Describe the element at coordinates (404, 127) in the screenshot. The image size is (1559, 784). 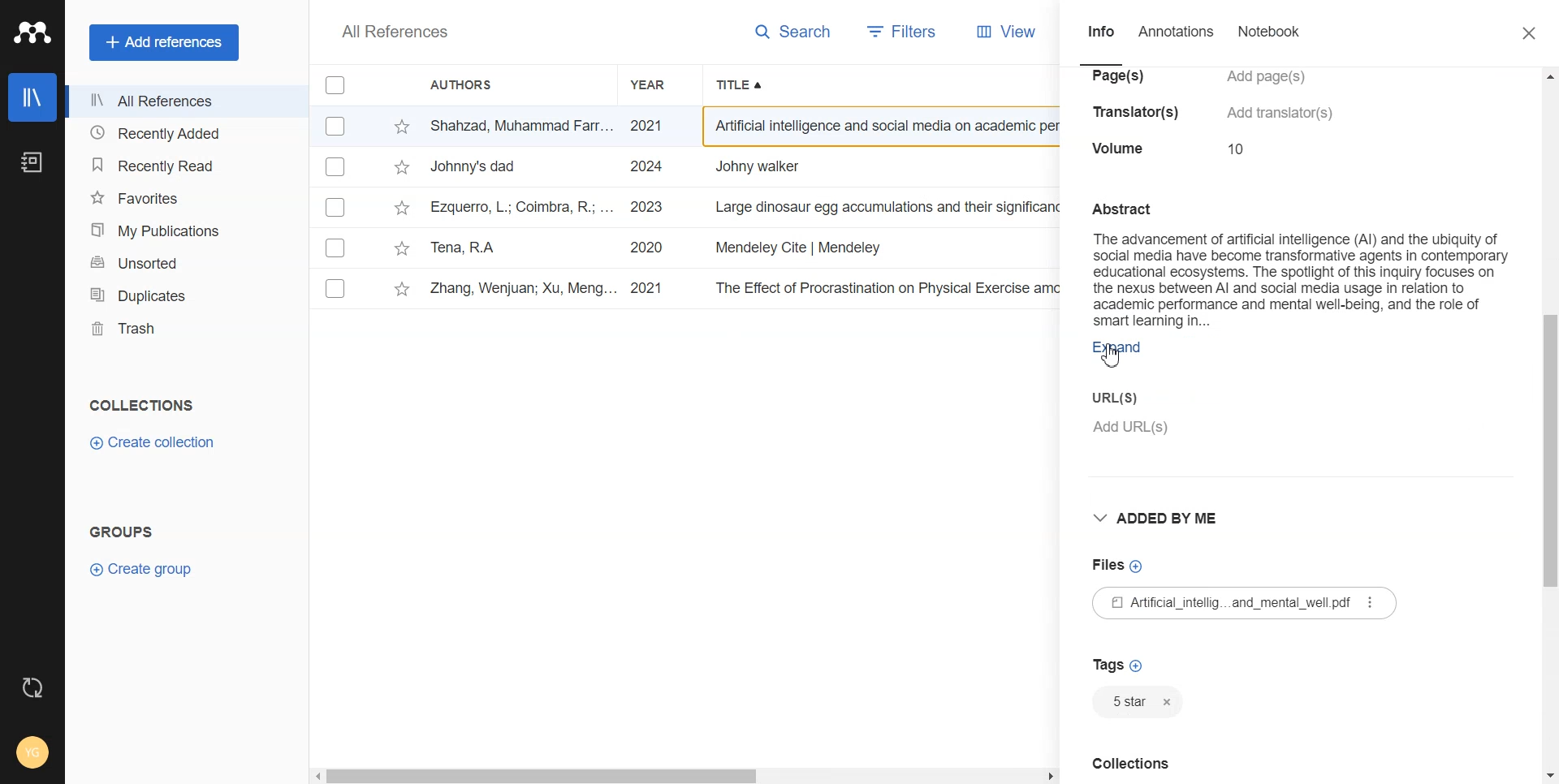
I see `star` at that location.